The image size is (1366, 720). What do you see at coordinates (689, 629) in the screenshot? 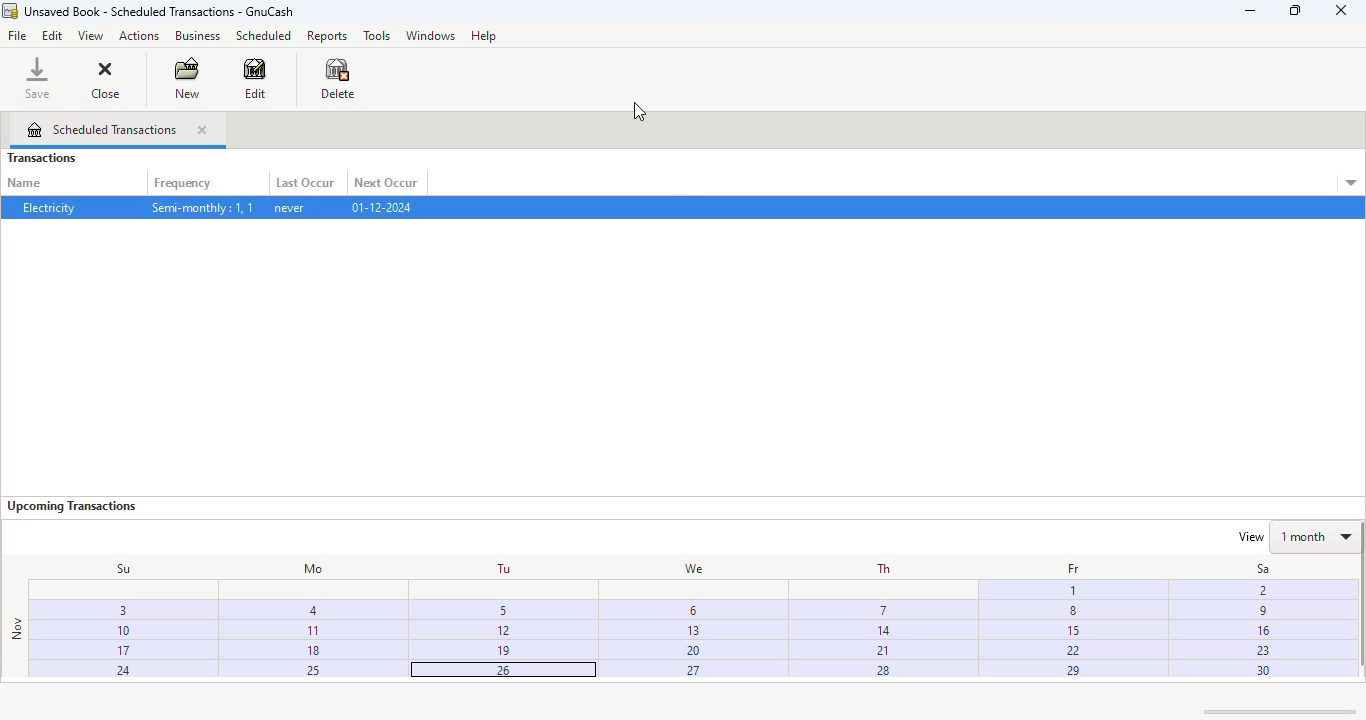
I see `13` at bounding box center [689, 629].